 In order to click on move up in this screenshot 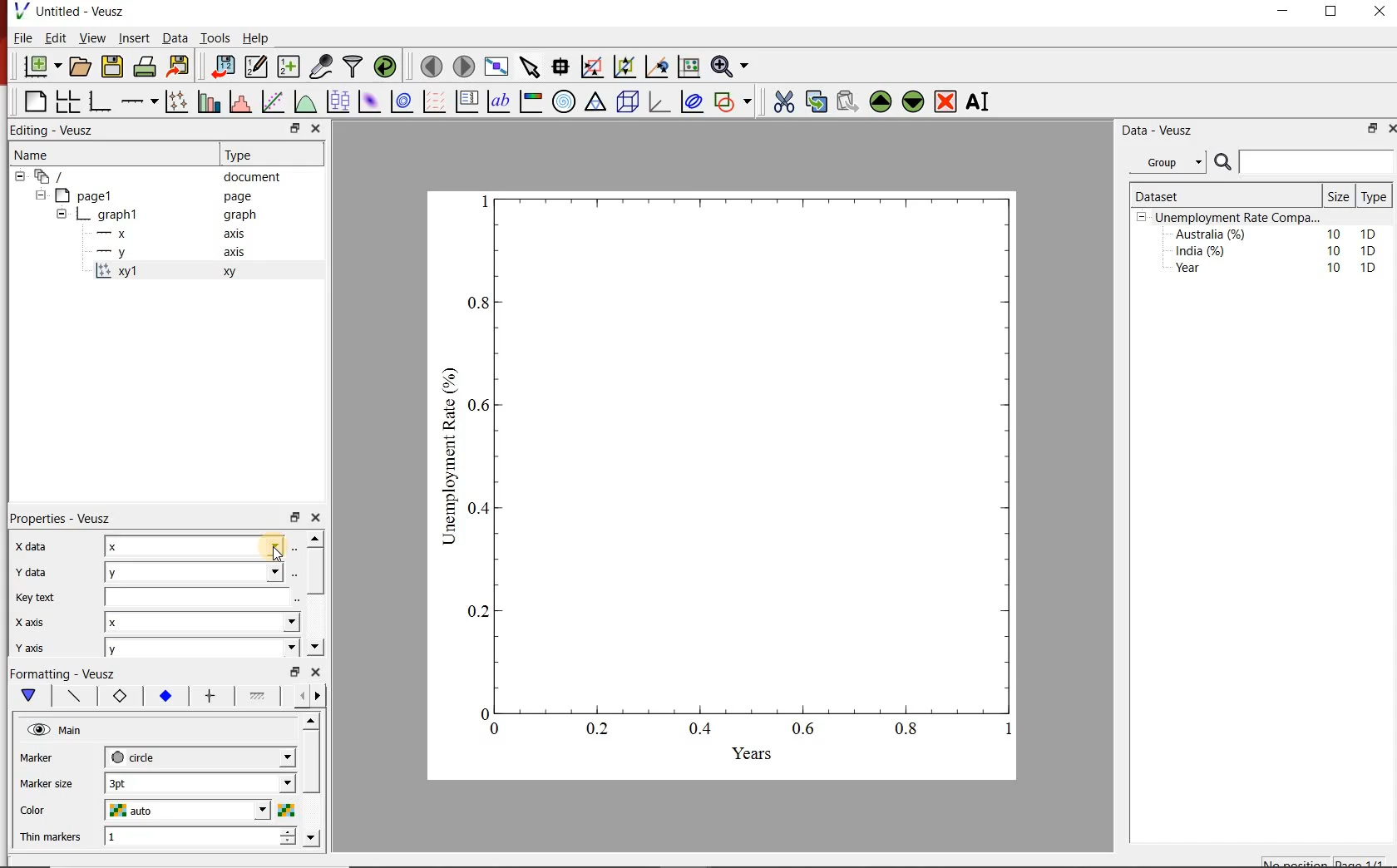, I will do `click(315, 538)`.